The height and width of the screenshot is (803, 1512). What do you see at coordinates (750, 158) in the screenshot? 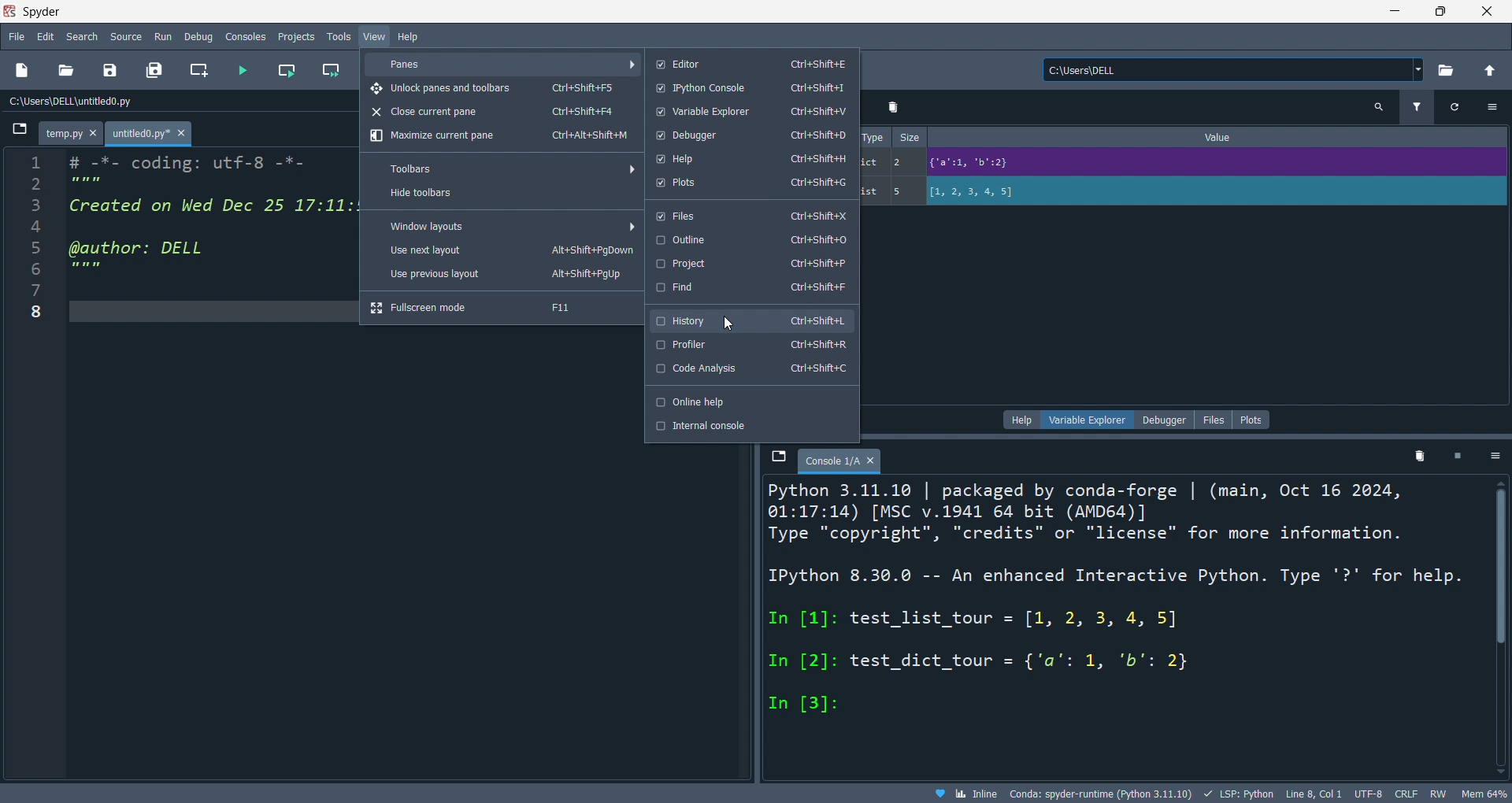
I see `help` at bounding box center [750, 158].